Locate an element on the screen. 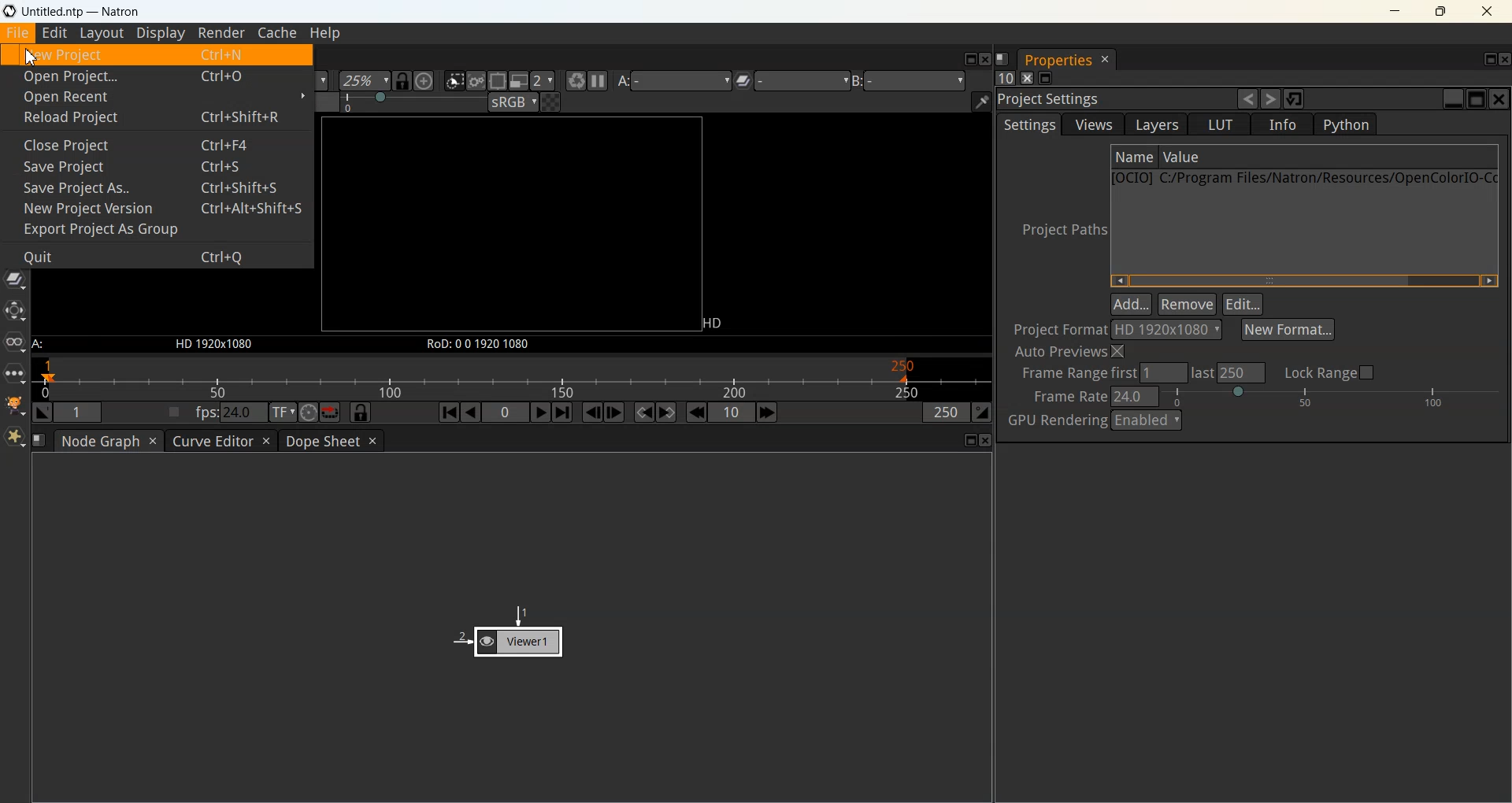  Layers is located at coordinates (1154, 124).